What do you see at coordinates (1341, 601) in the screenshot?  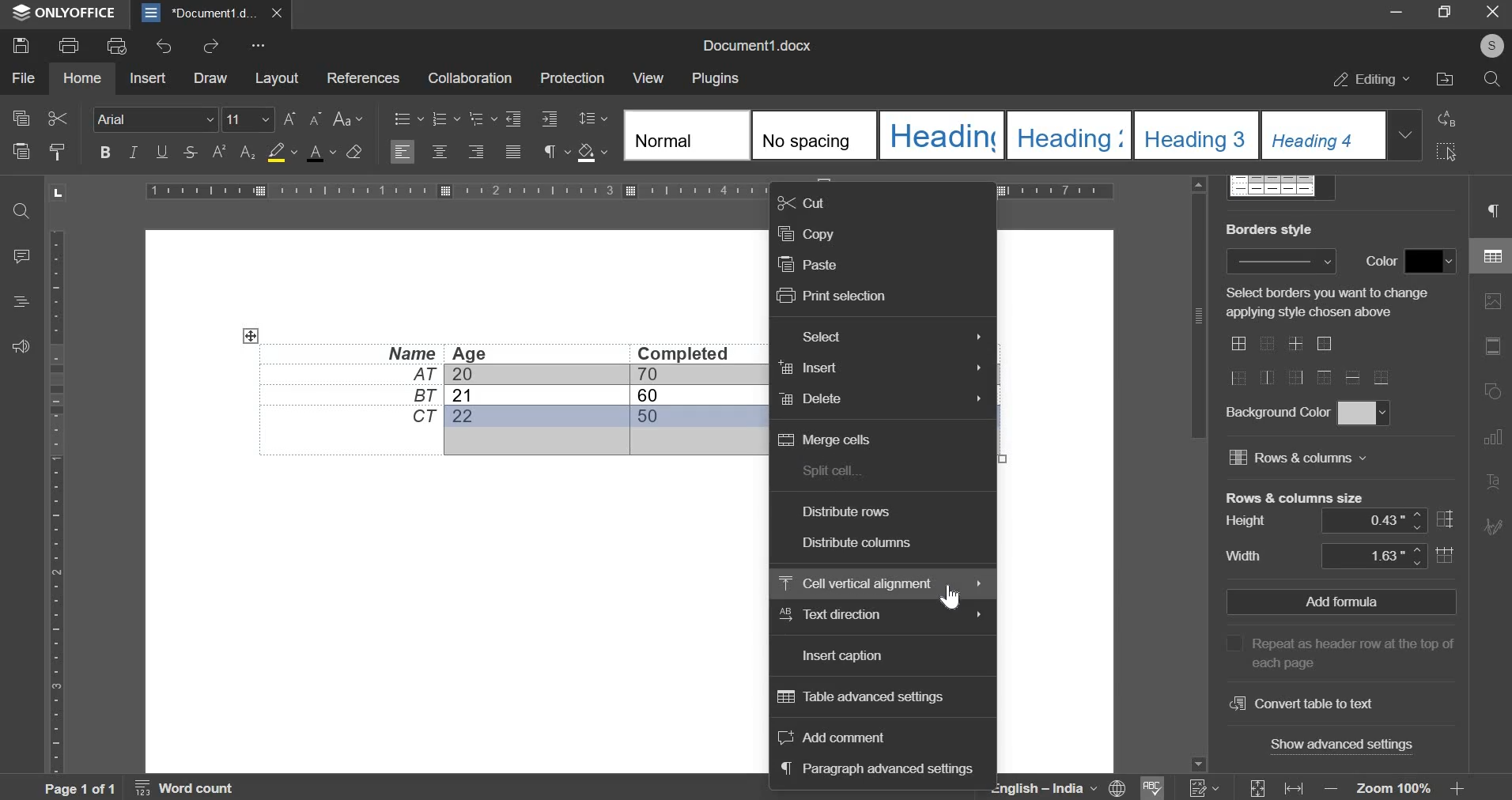 I see `add formula` at bounding box center [1341, 601].